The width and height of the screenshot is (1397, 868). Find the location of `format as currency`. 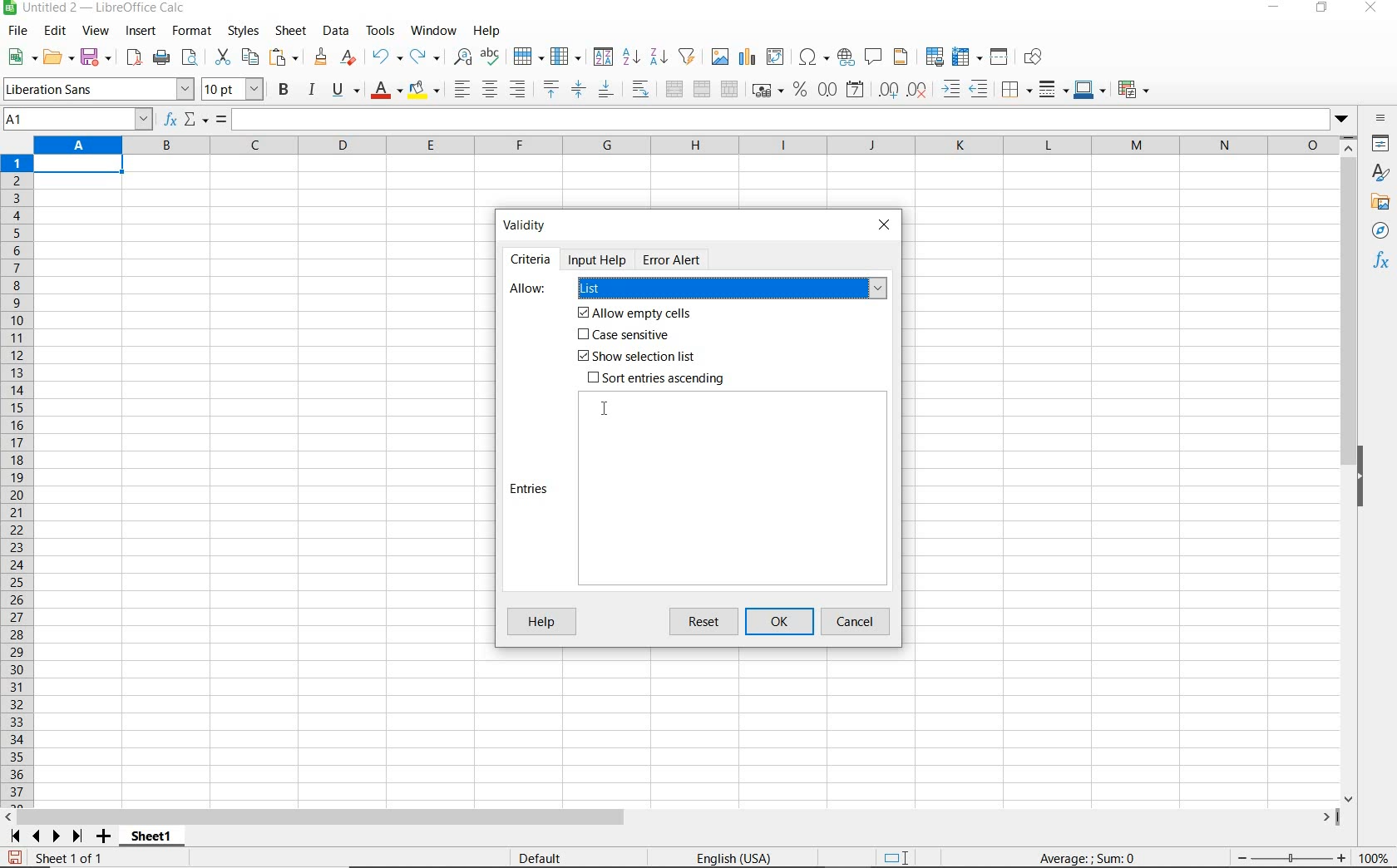

format as currency is located at coordinates (767, 88).